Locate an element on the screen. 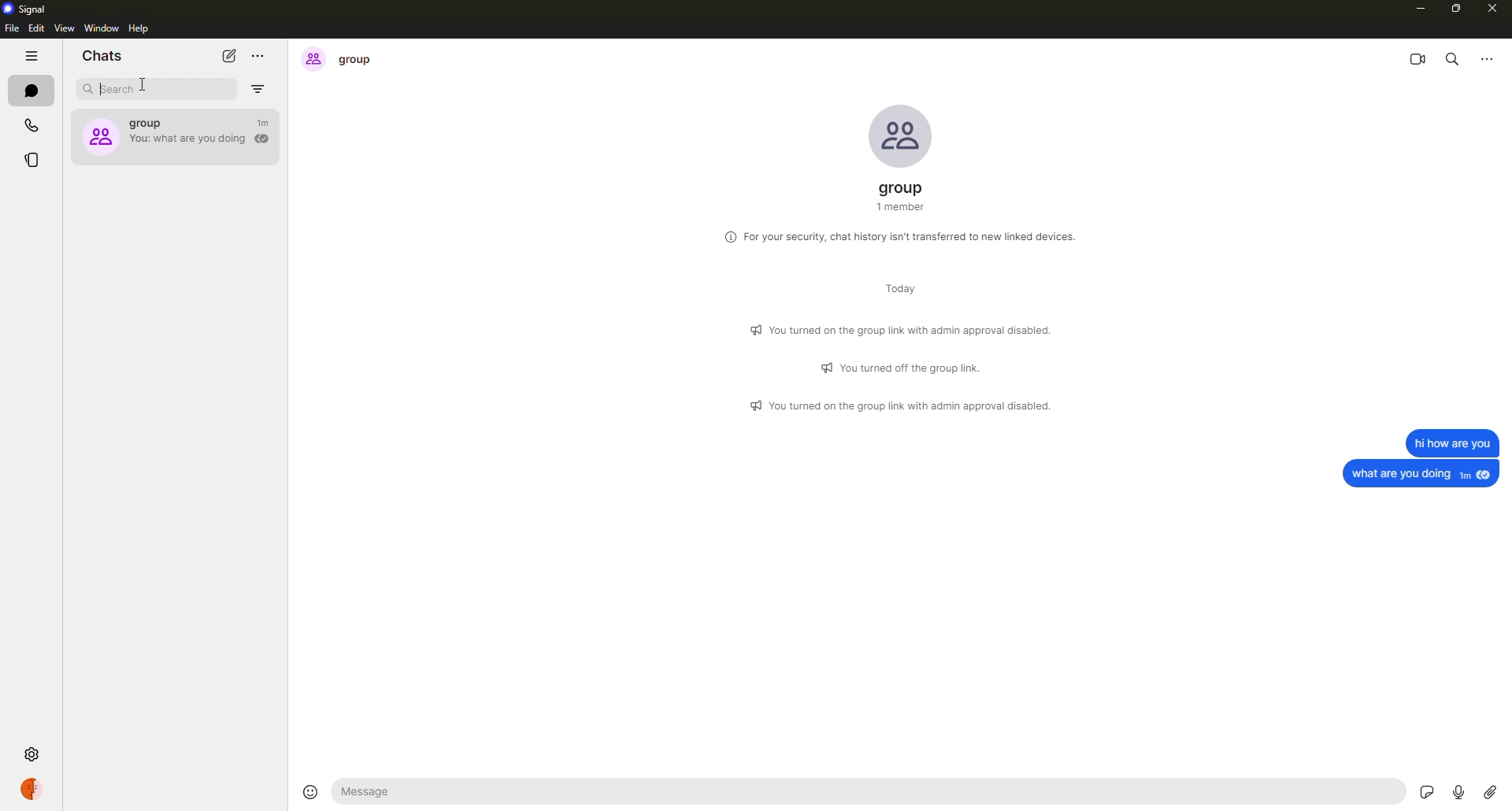 Image resolution: width=1512 pixels, height=811 pixels. message is located at coordinates (1422, 473).